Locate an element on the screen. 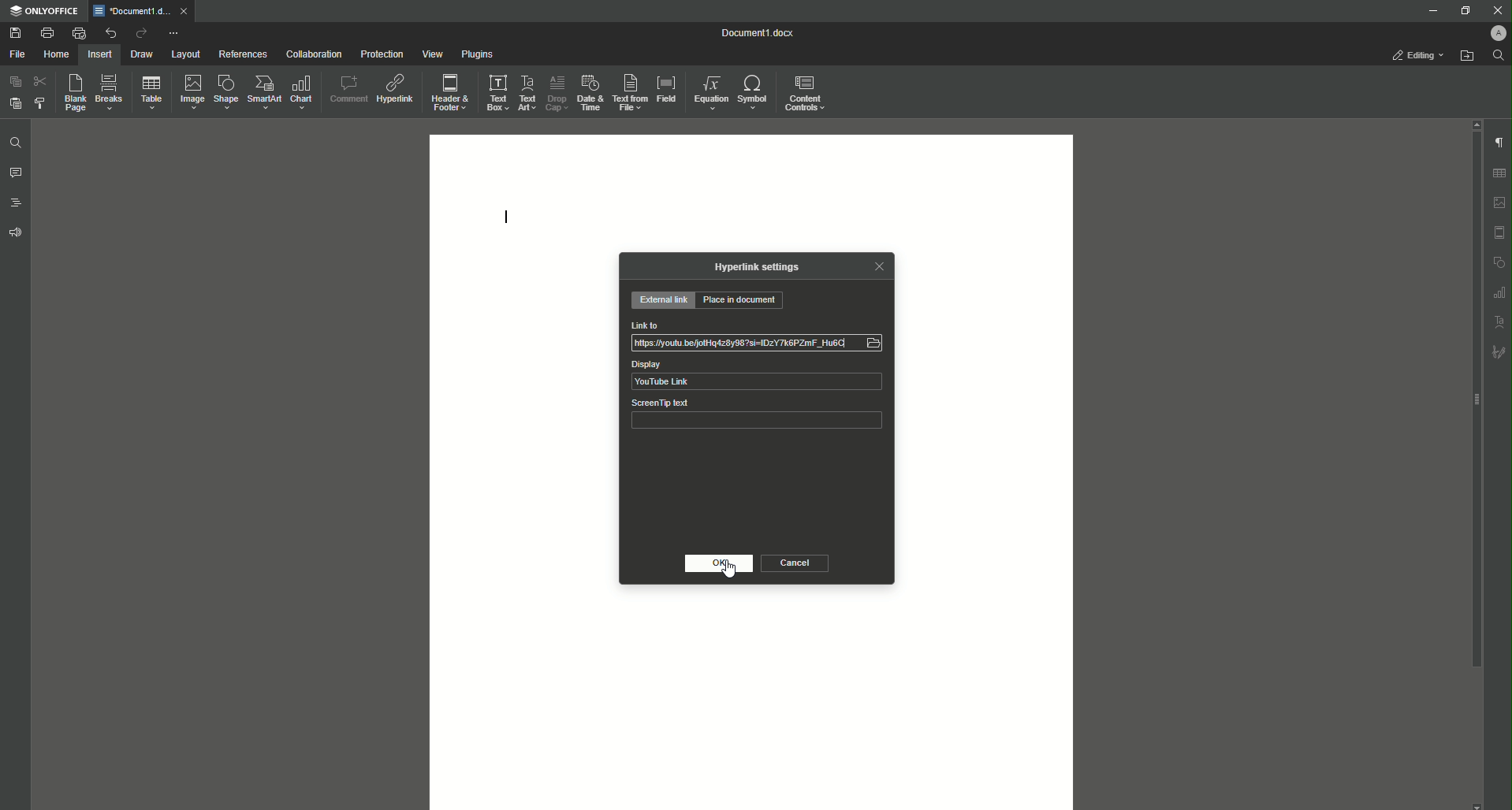 The width and height of the screenshot is (1512, 810). Place in Document is located at coordinates (746, 301).